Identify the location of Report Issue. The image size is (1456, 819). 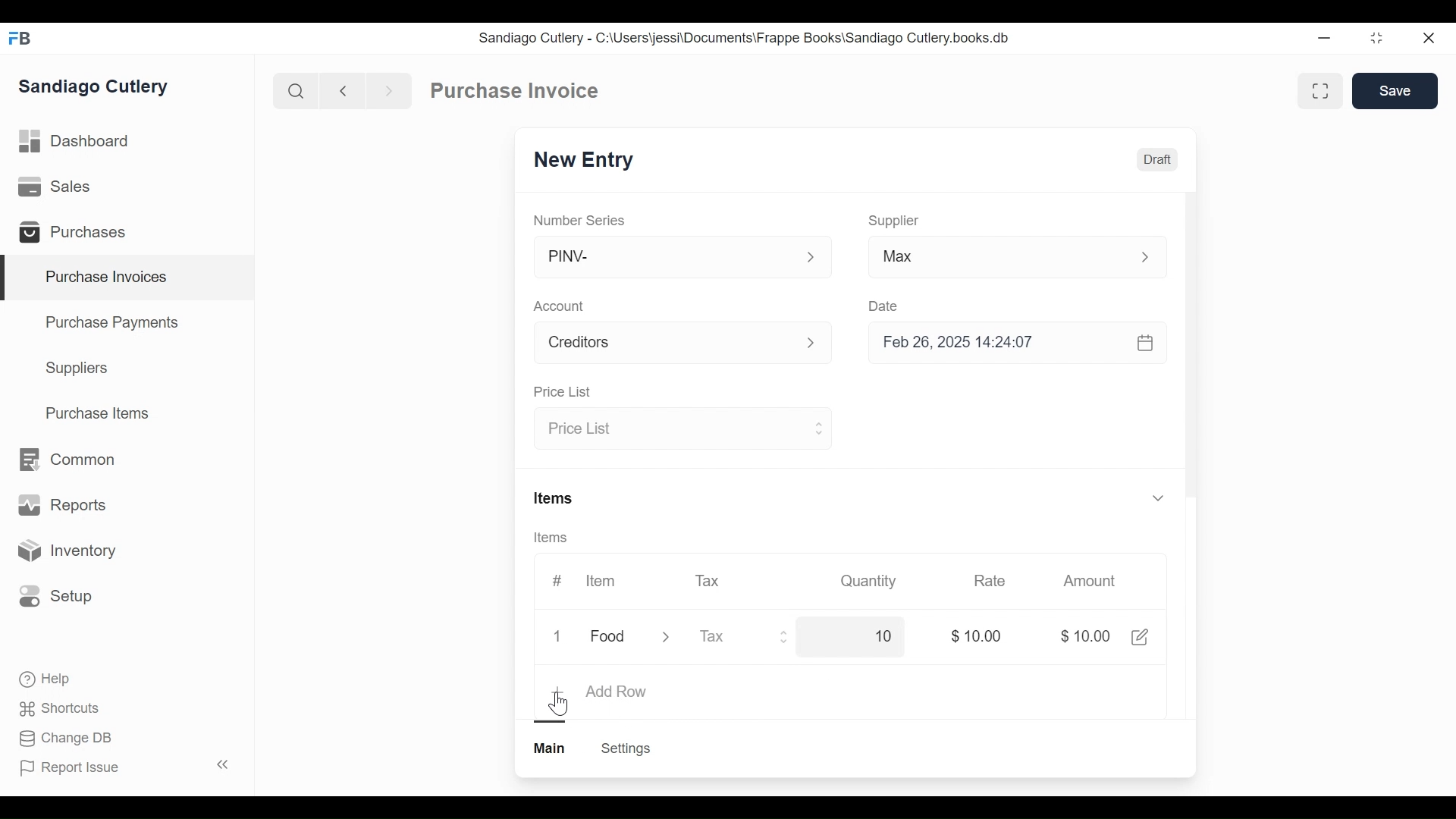
(124, 767).